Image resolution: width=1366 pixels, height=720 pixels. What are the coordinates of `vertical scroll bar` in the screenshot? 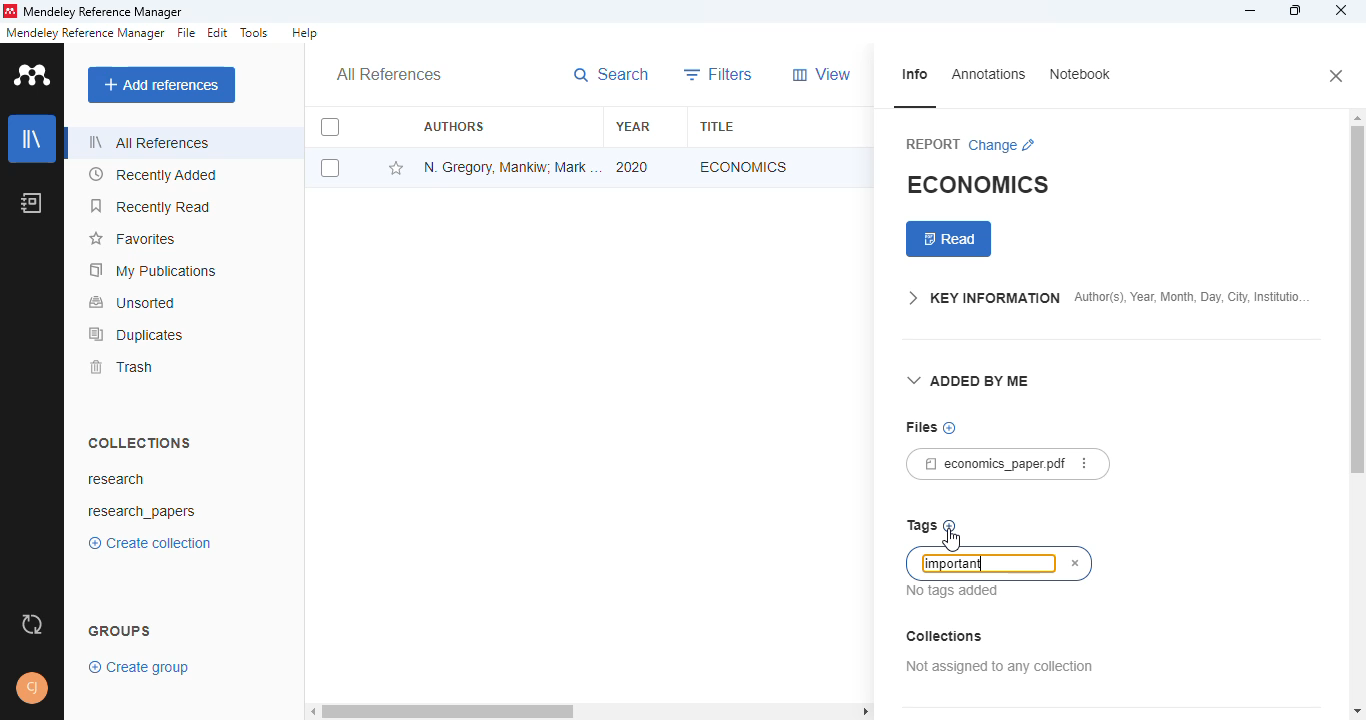 It's located at (1356, 309).